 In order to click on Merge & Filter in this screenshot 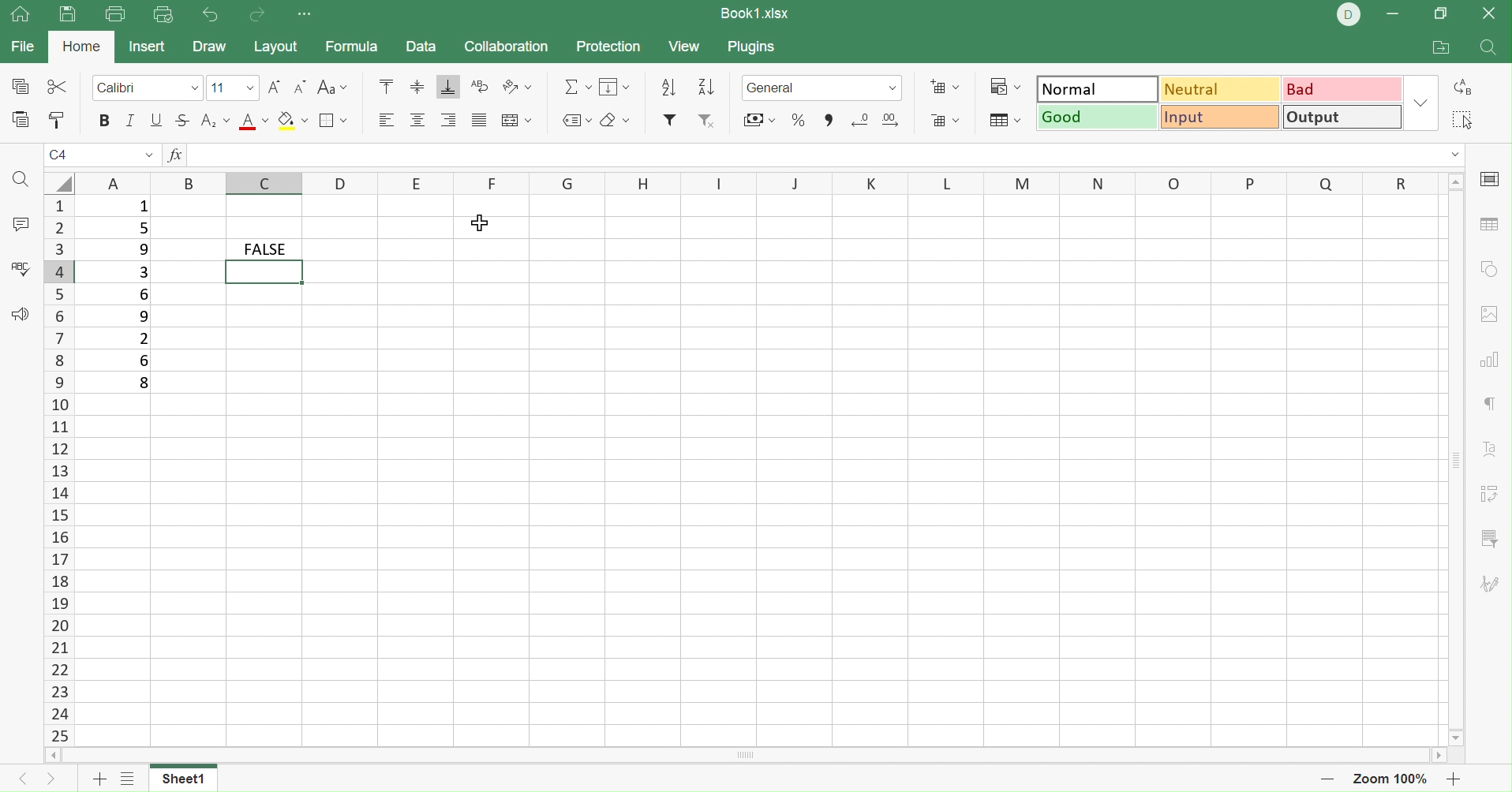, I will do `click(759, 121)`.